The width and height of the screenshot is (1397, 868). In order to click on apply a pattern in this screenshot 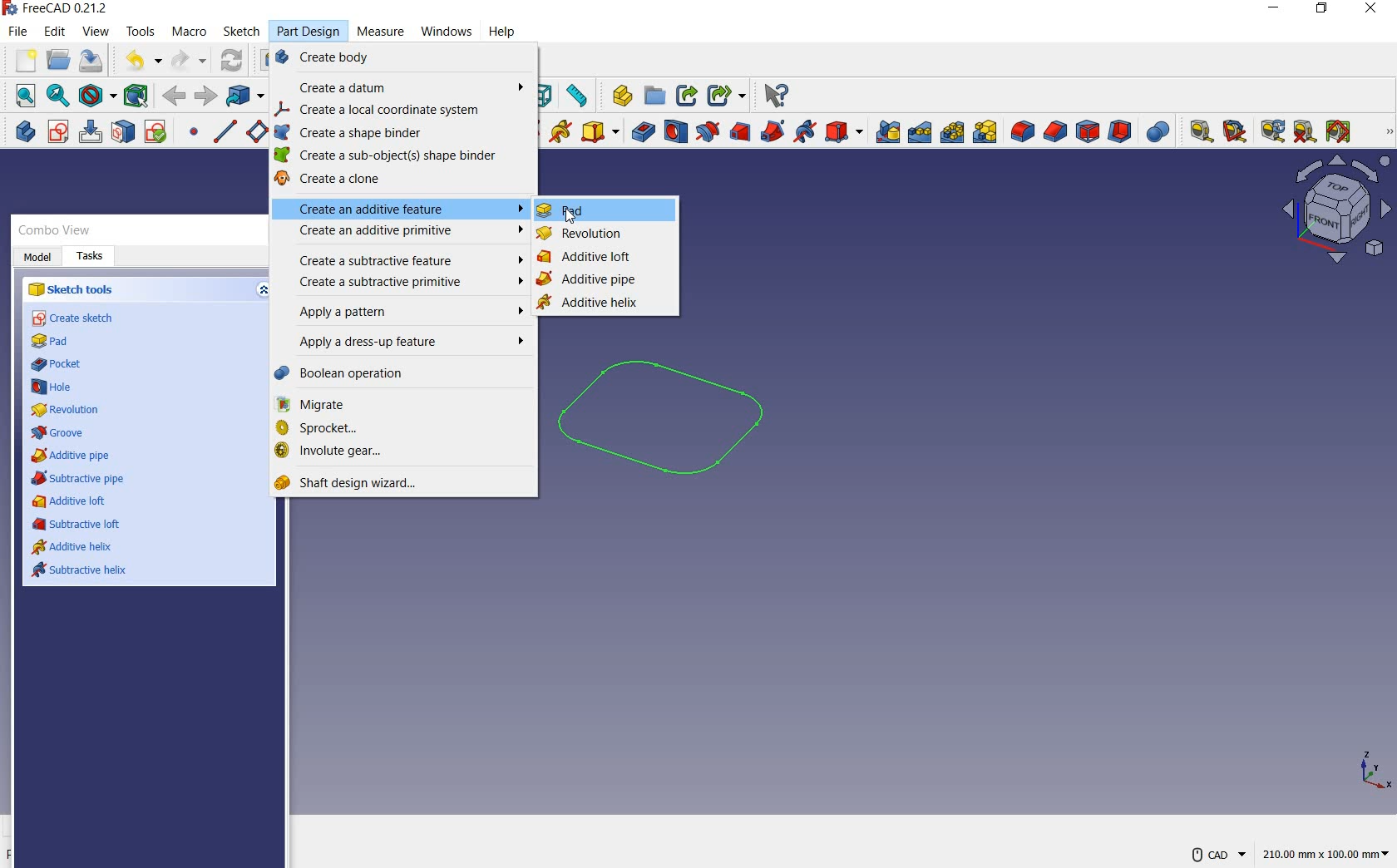, I will do `click(407, 313)`.